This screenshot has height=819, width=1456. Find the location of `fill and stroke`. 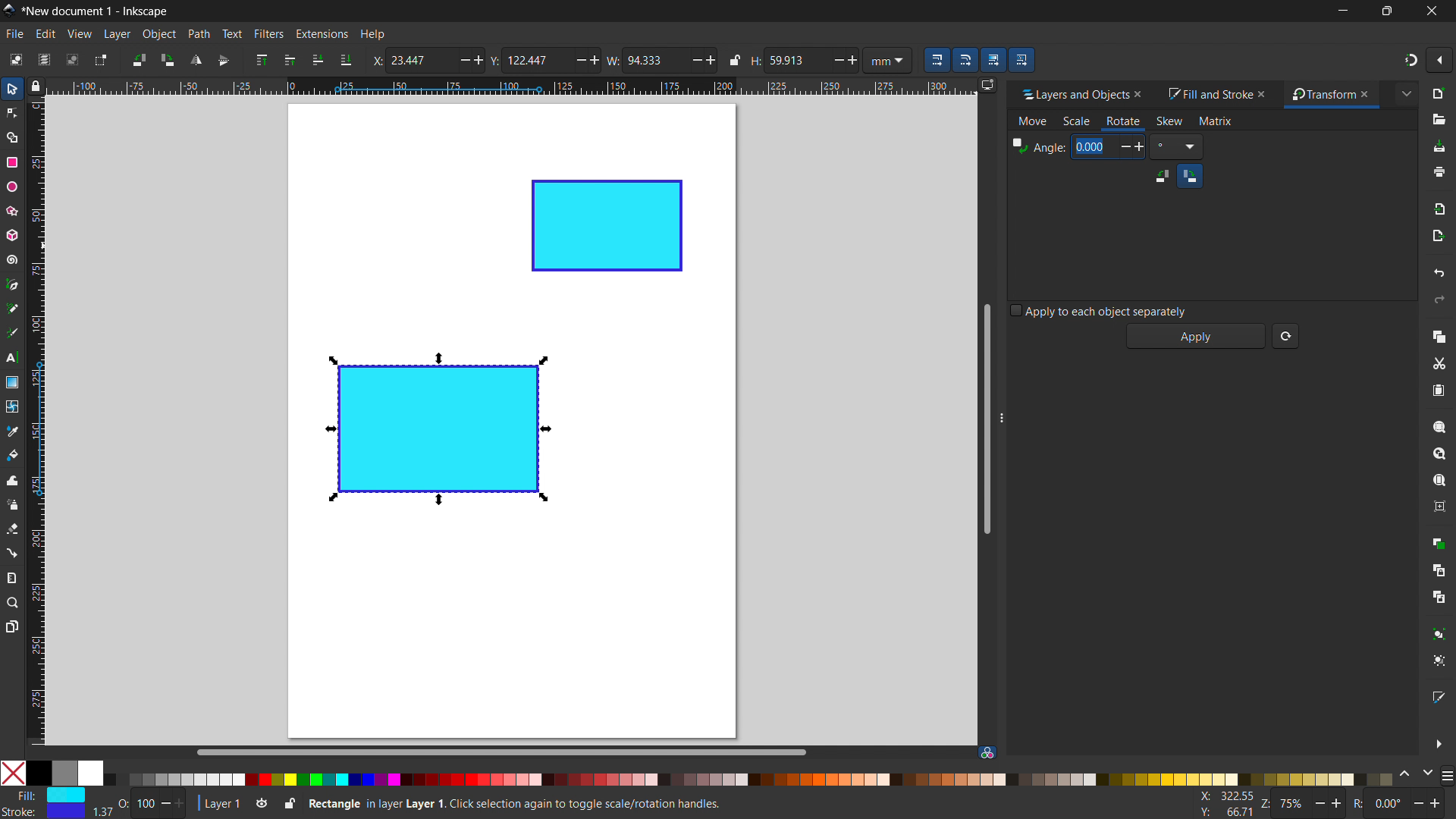

fill and stroke is located at coordinates (1208, 95).